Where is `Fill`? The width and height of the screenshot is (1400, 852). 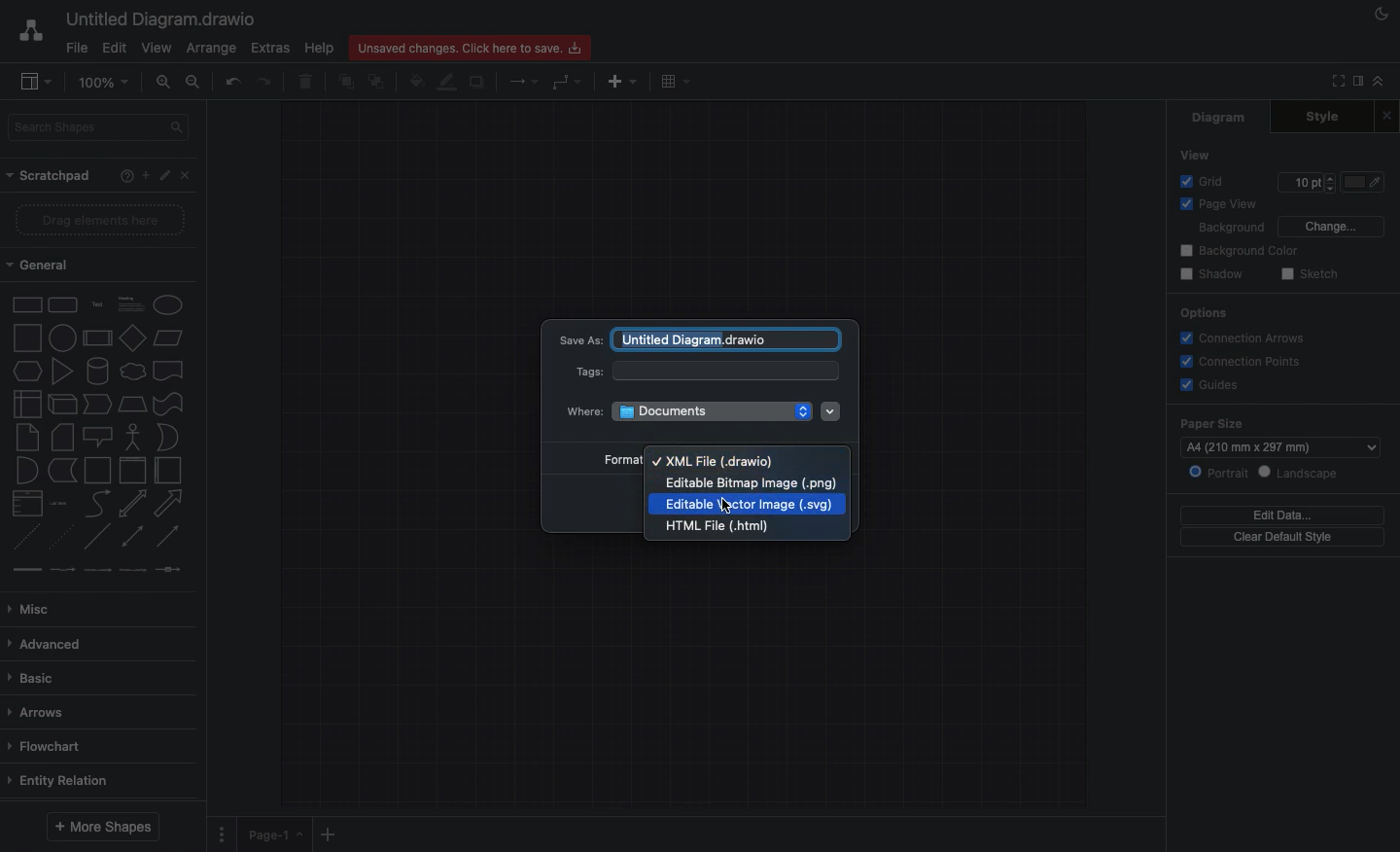
Fill is located at coordinates (1370, 183).